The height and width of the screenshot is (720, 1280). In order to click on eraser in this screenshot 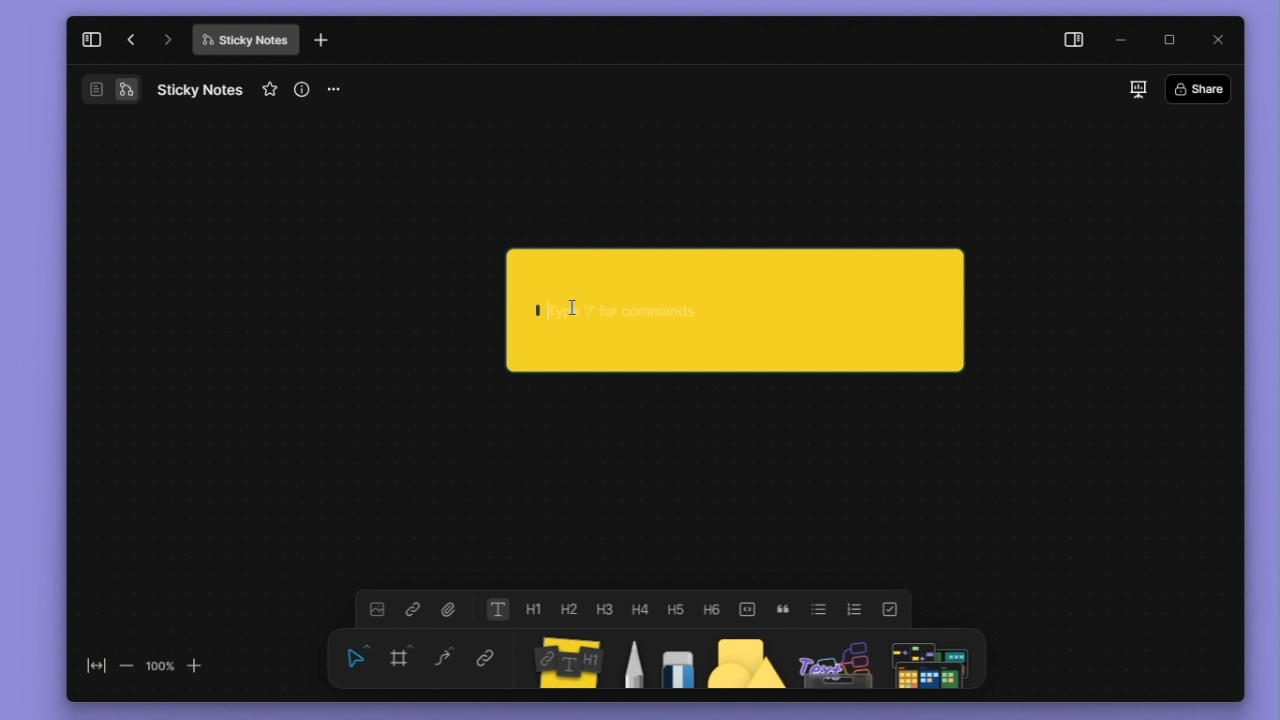, I will do `click(679, 659)`.